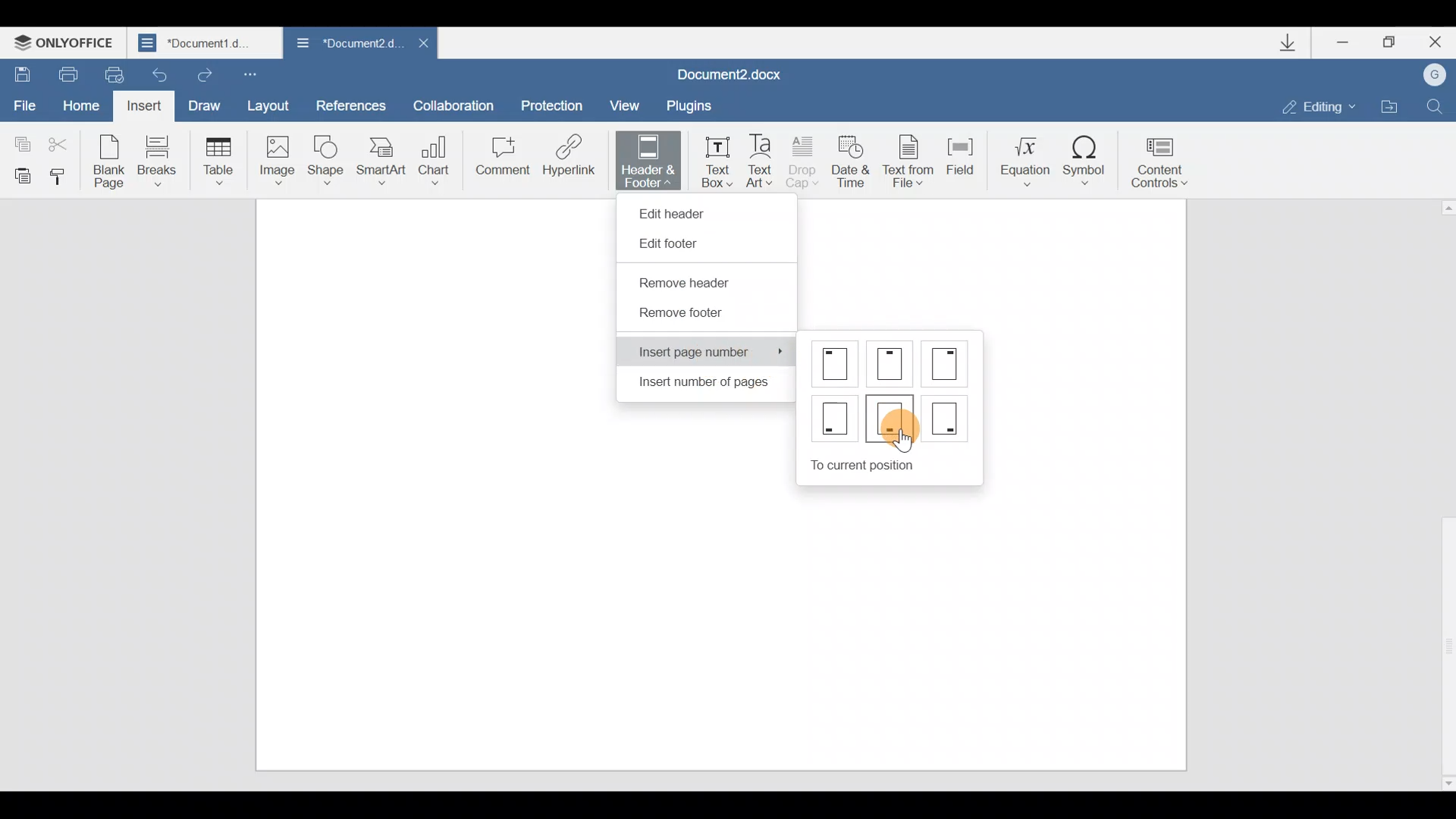 The image size is (1456, 819). Describe the element at coordinates (764, 158) in the screenshot. I see `Text Art` at that location.